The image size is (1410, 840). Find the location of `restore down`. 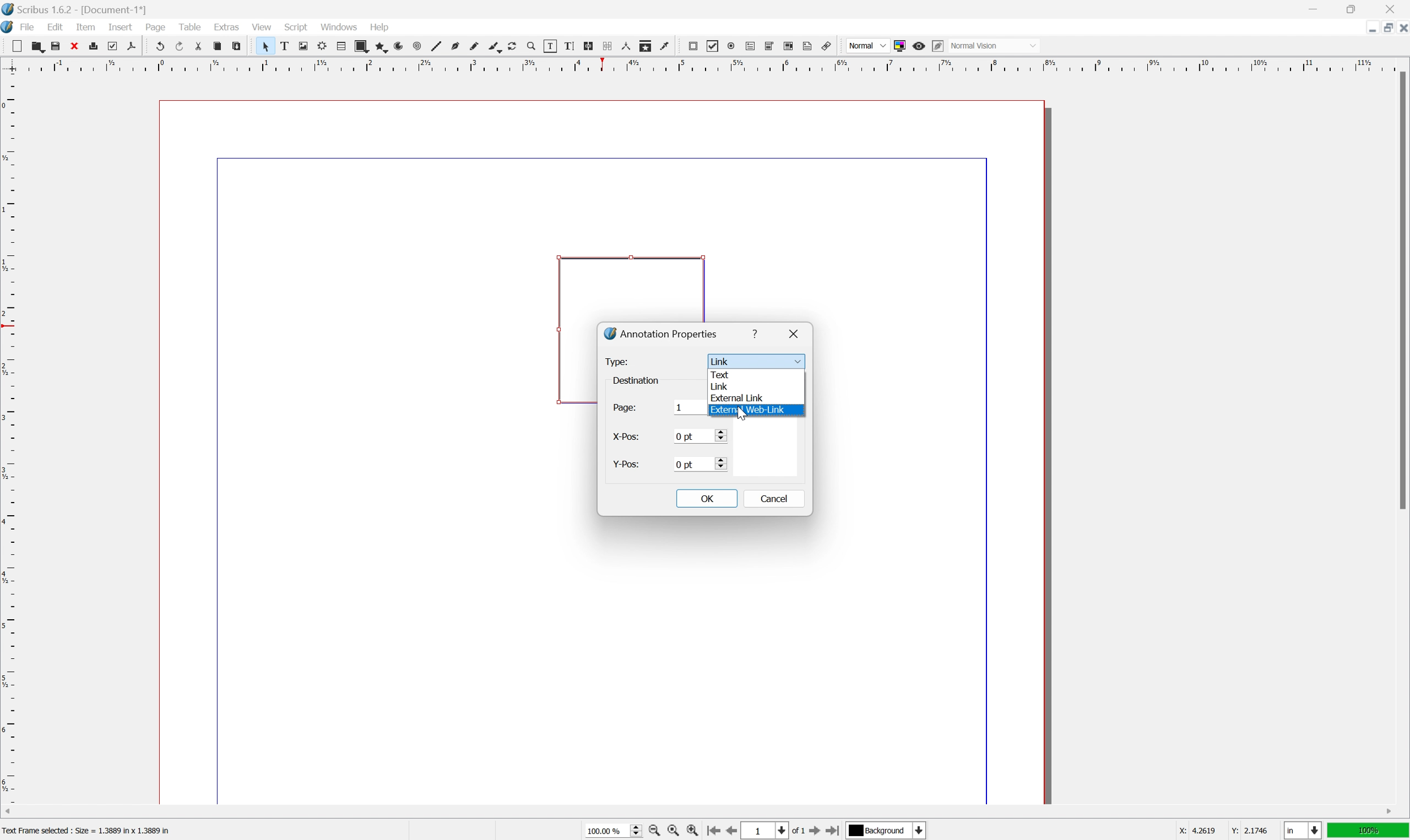

restore down is located at coordinates (1353, 8).